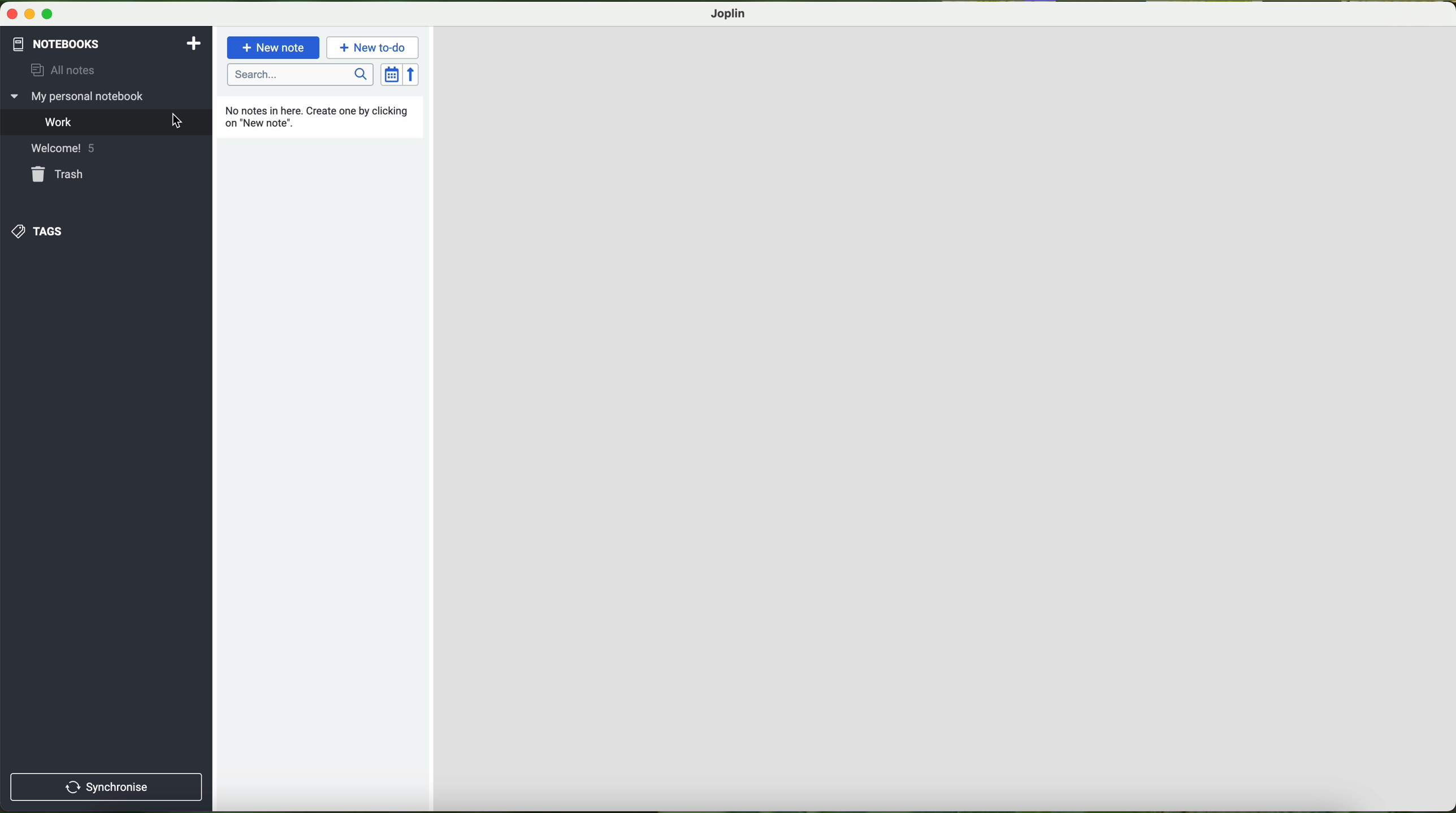 This screenshot has width=1456, height=813. I want to click on no notes in here. create one by clicking new note, so click(319, 116).